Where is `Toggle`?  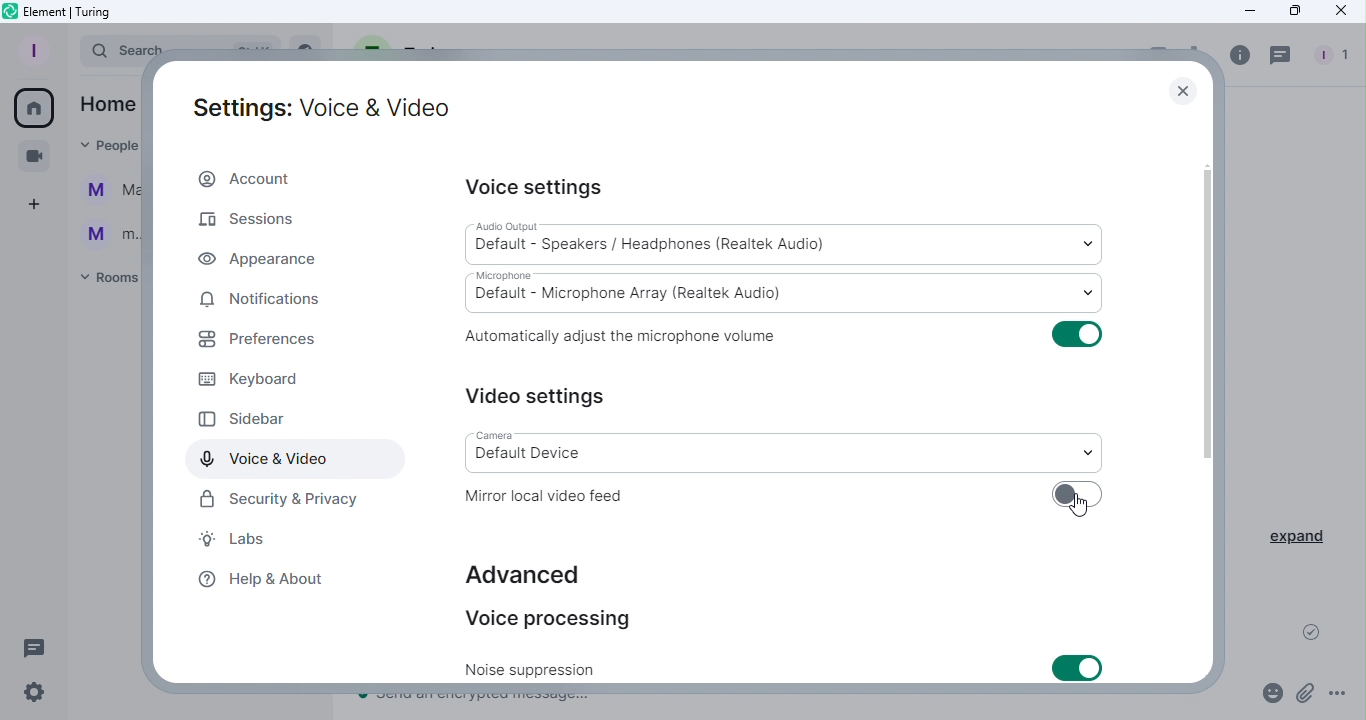 Toggle is located at coordinates (1084, 666).